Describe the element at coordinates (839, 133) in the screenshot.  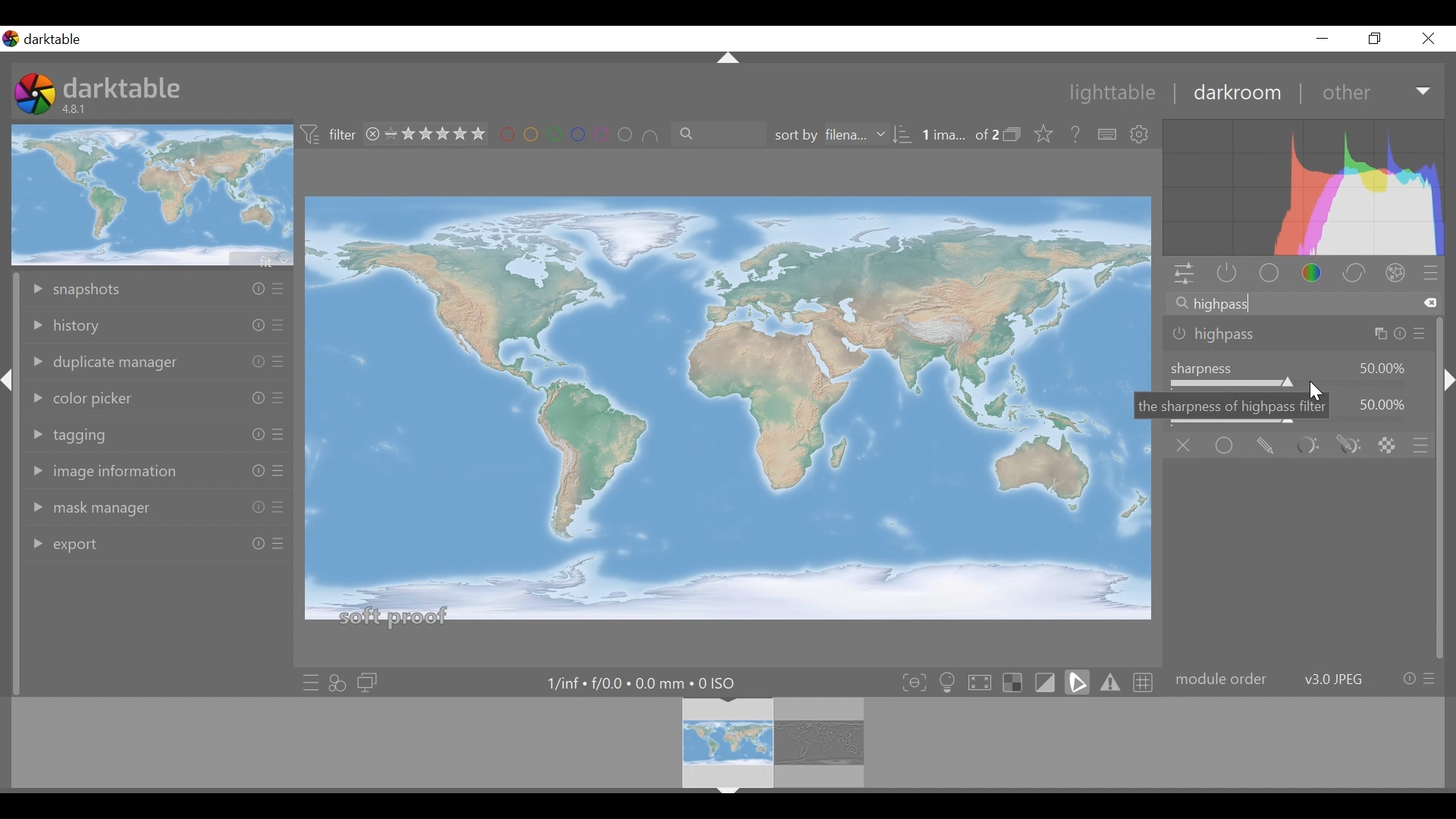
I see `sort by filename` at that location.